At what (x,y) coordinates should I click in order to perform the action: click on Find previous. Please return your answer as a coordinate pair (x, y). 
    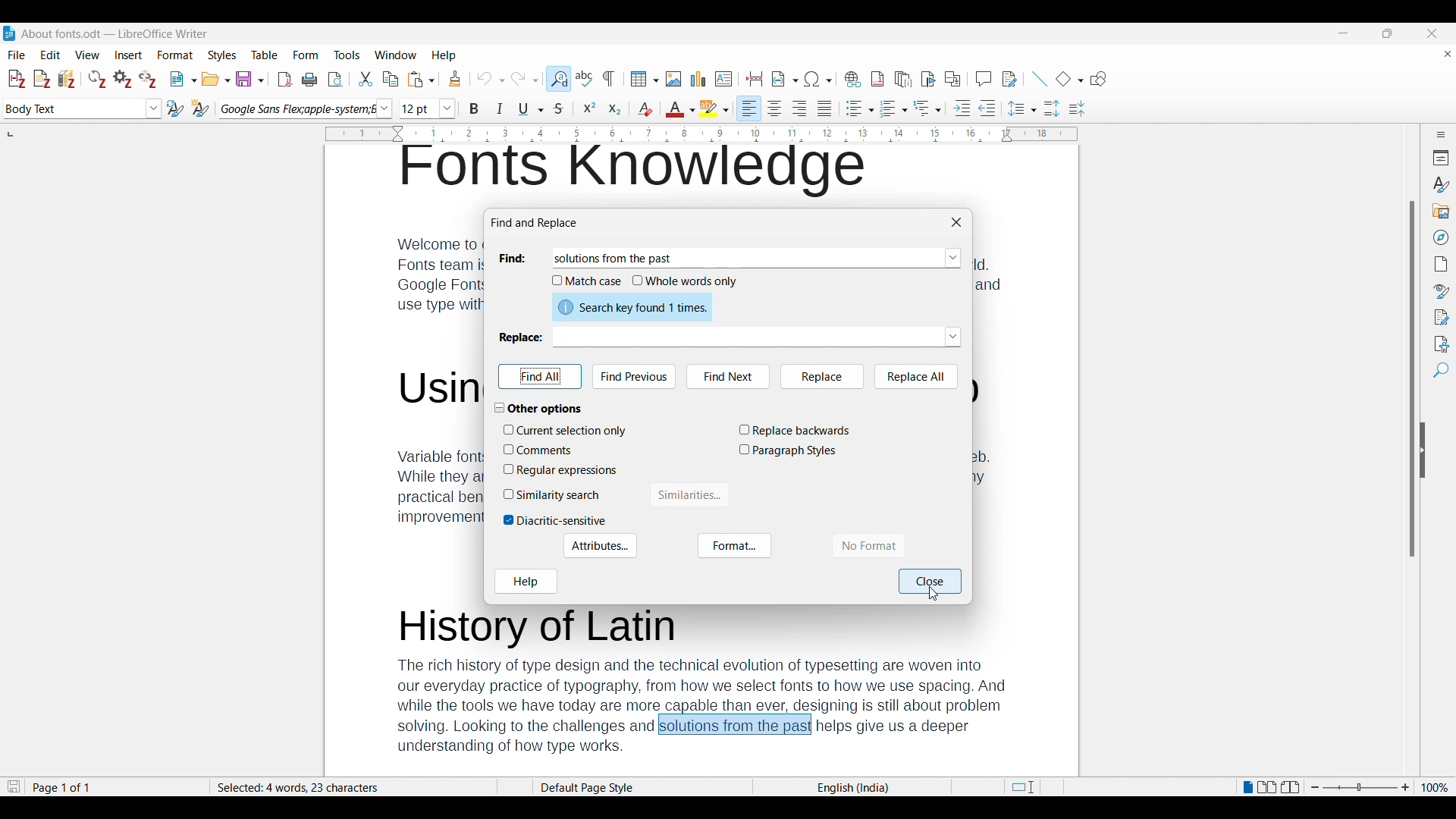
    Looking at the image, I should click on (635, 377).